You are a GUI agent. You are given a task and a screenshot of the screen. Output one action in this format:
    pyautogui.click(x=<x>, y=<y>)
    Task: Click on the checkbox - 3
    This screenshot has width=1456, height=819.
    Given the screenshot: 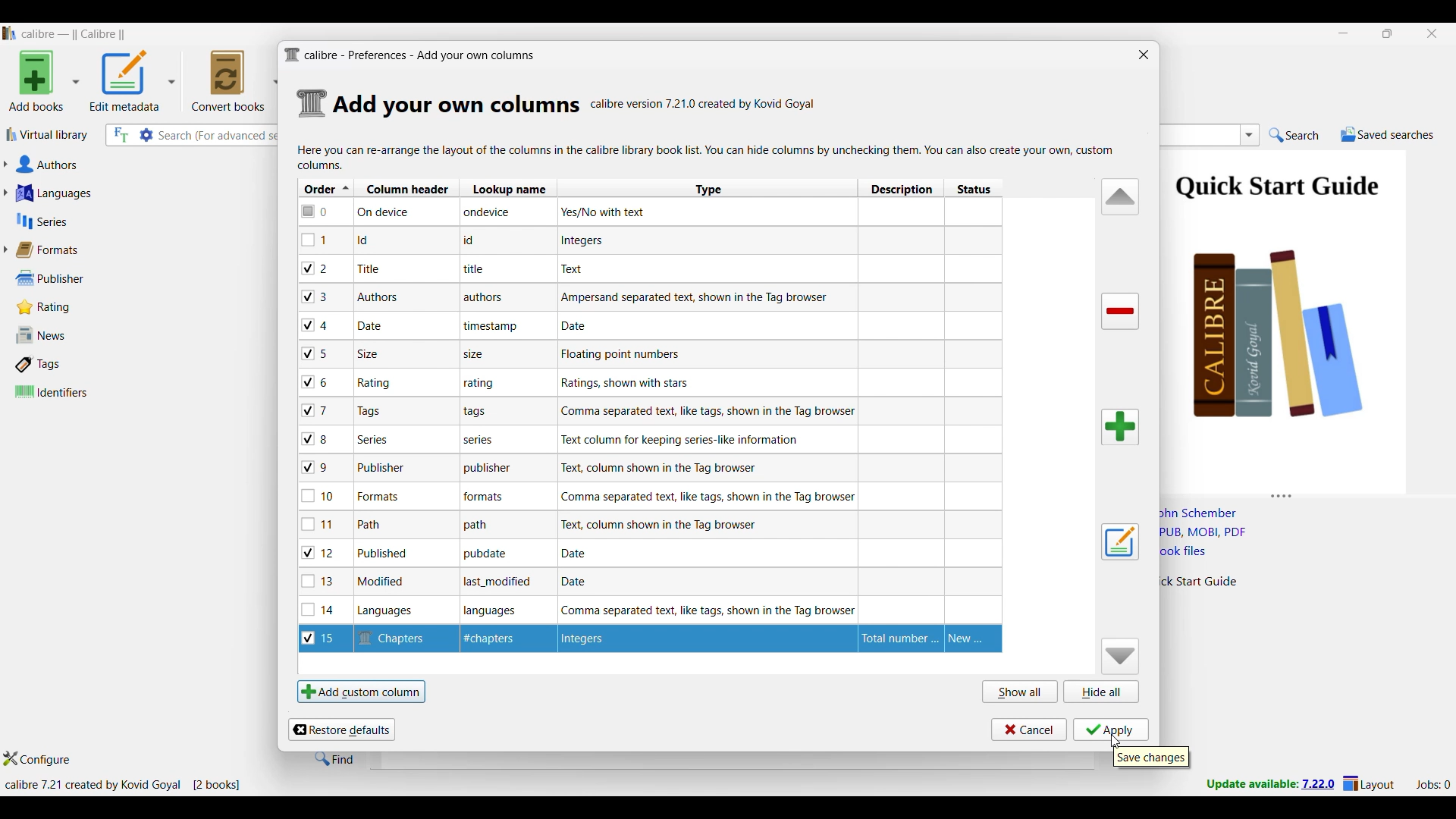 What is the action you would take?
    pyautogui.click(x=316, y=297)
    